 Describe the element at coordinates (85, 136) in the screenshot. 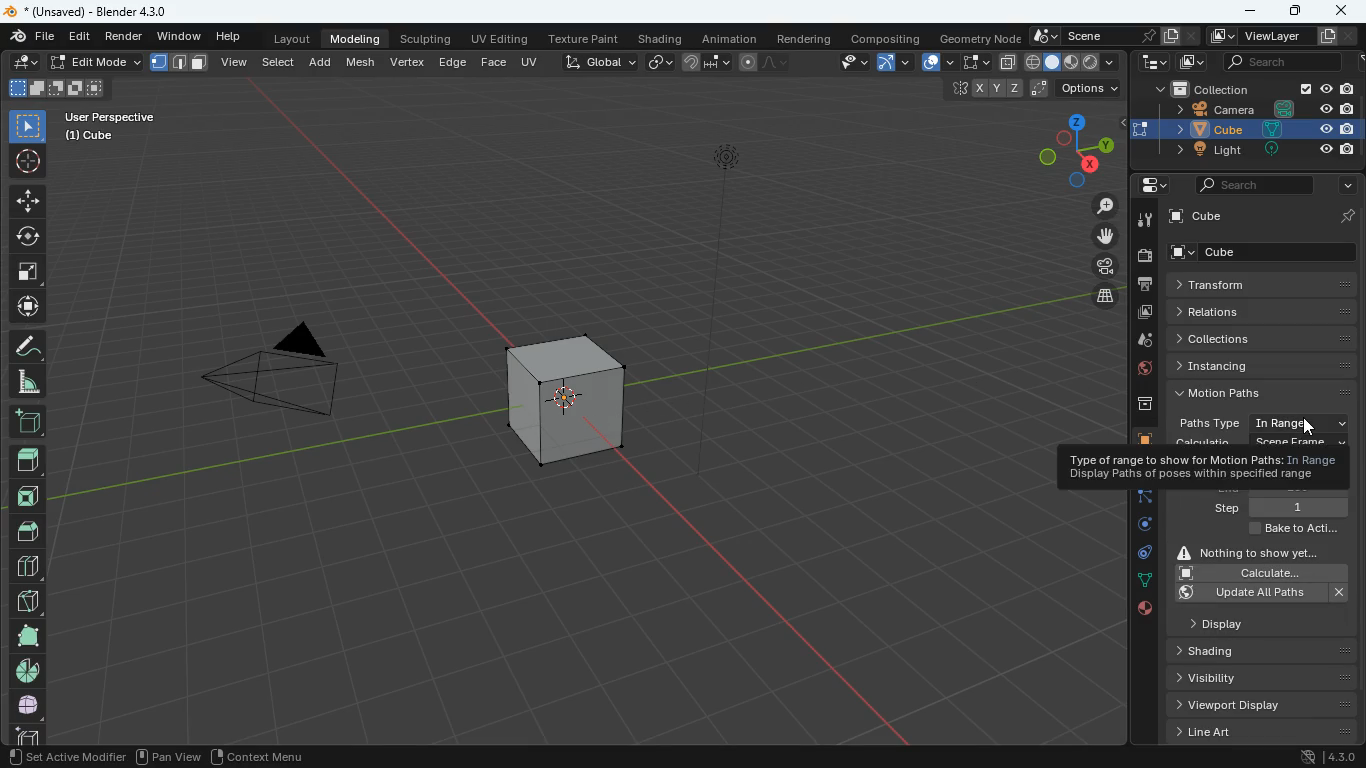

I see `(1) Cube` at that location.